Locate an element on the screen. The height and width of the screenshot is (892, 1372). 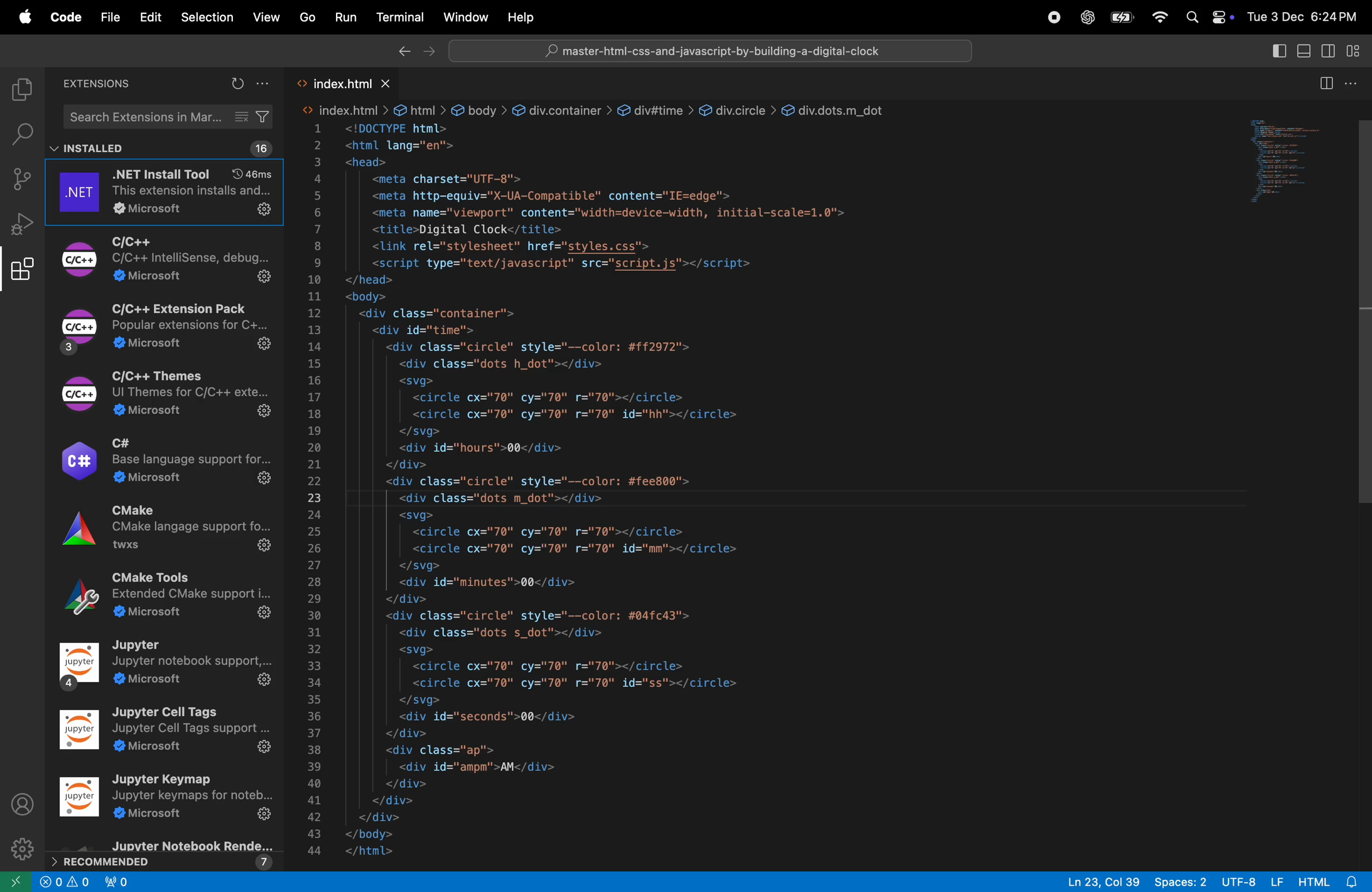
Extension  C\C++ is located at coordinates (166, 261).